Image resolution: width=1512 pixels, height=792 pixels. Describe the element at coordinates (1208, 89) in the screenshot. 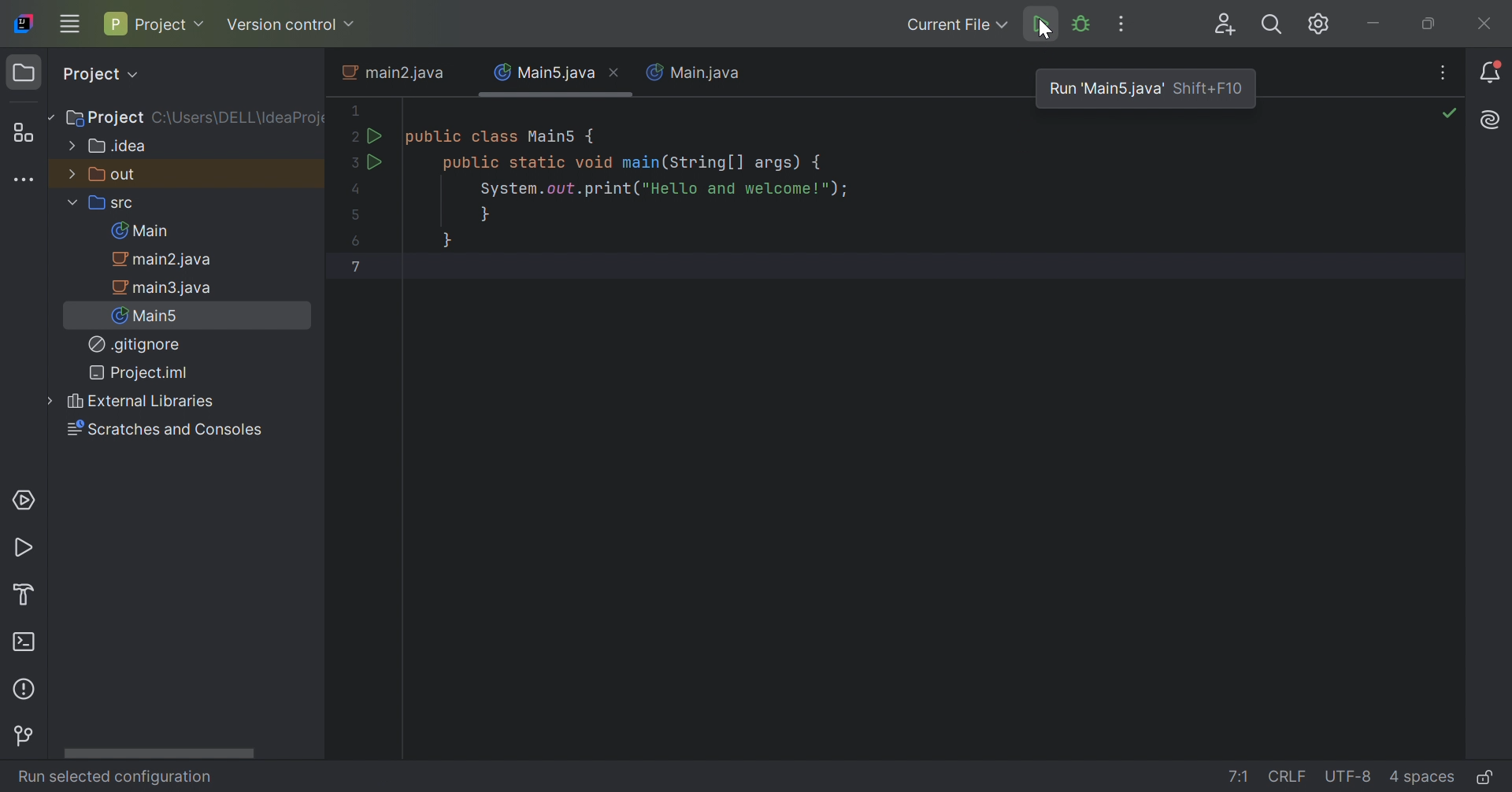

I see `Shift+F10` at that location.